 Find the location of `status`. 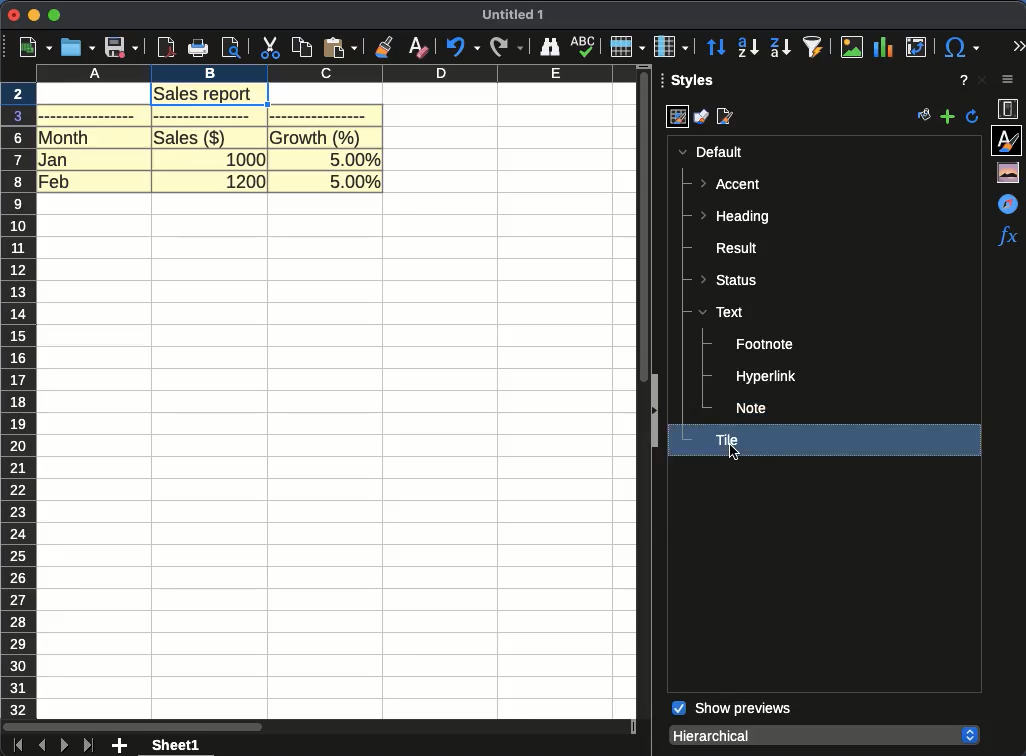

status is located at coordinates (732, 278).